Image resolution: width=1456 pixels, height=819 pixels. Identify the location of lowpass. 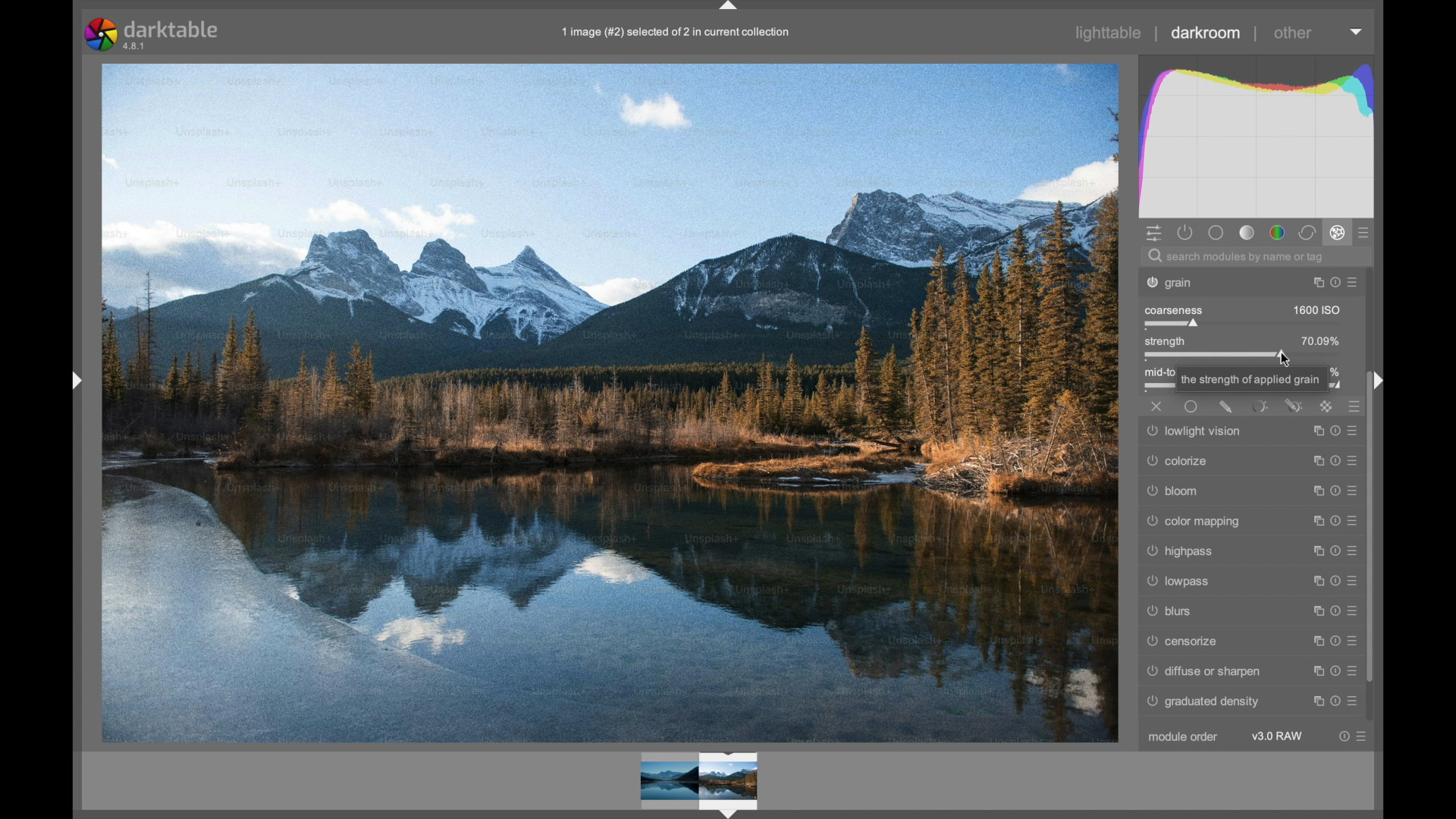
(1177, 582).